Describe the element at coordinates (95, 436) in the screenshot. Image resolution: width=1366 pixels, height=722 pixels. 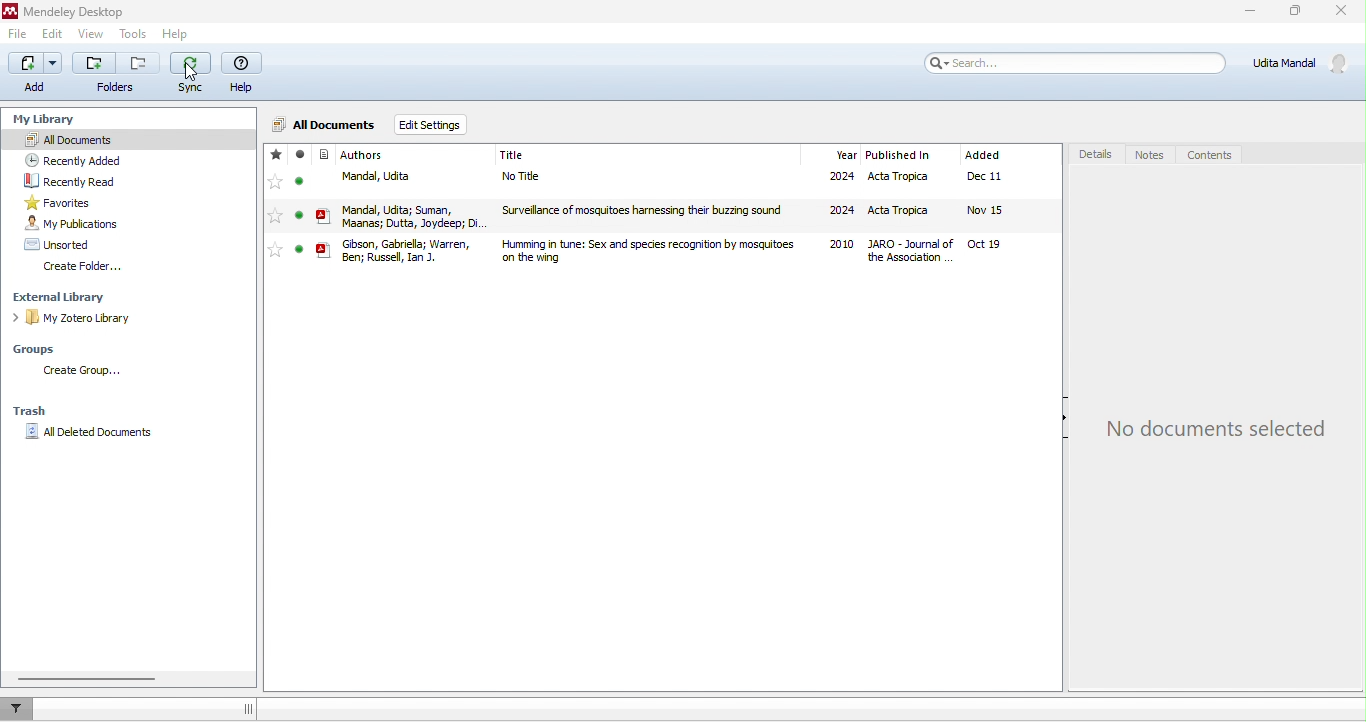
I see `all deleted documents` at that location.